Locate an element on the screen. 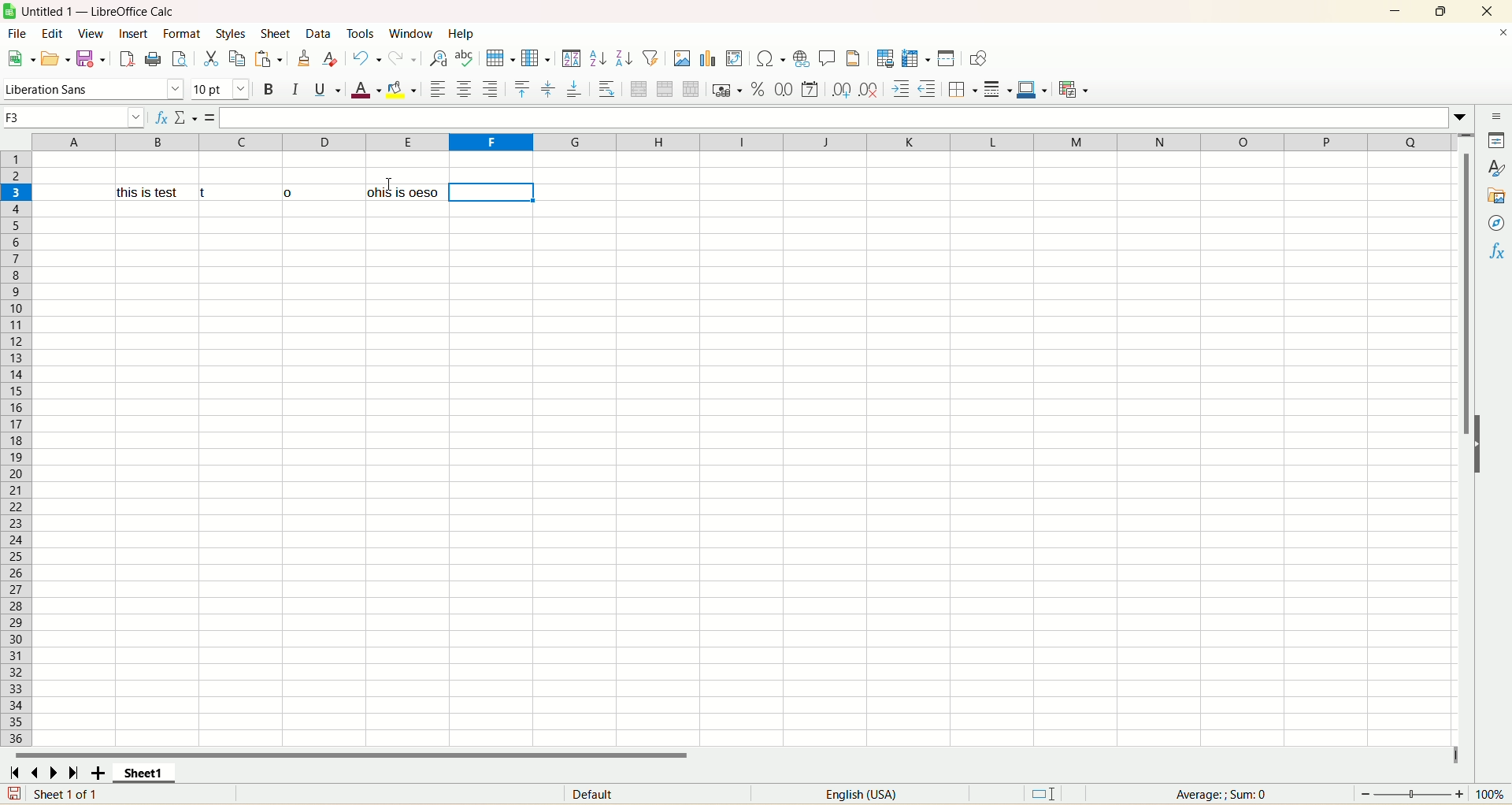 The height and width of the screenshot is (805, 1512). row is located at coordinates (14, 446).